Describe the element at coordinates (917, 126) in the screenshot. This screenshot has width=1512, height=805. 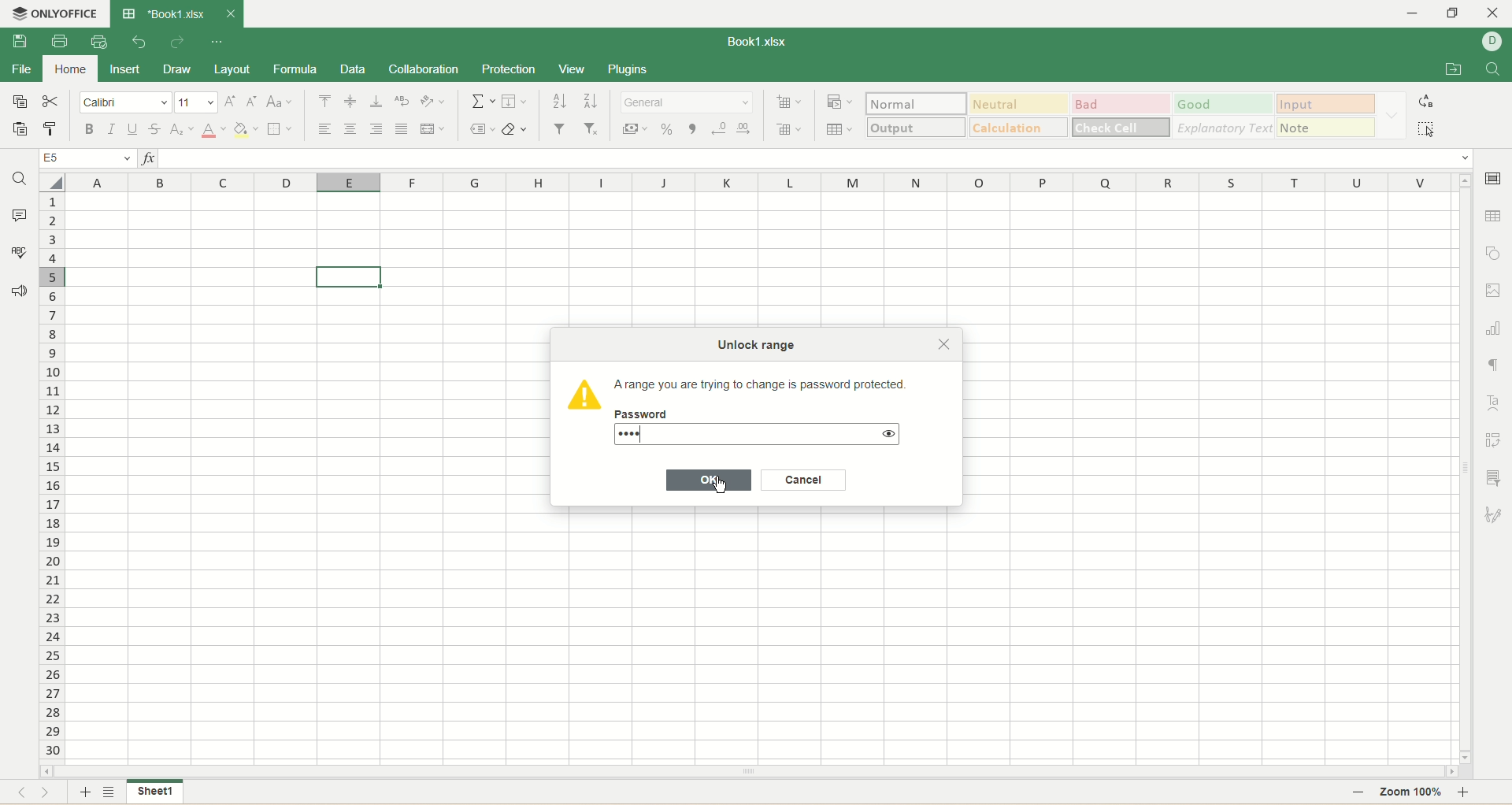
I see `output` at that location.